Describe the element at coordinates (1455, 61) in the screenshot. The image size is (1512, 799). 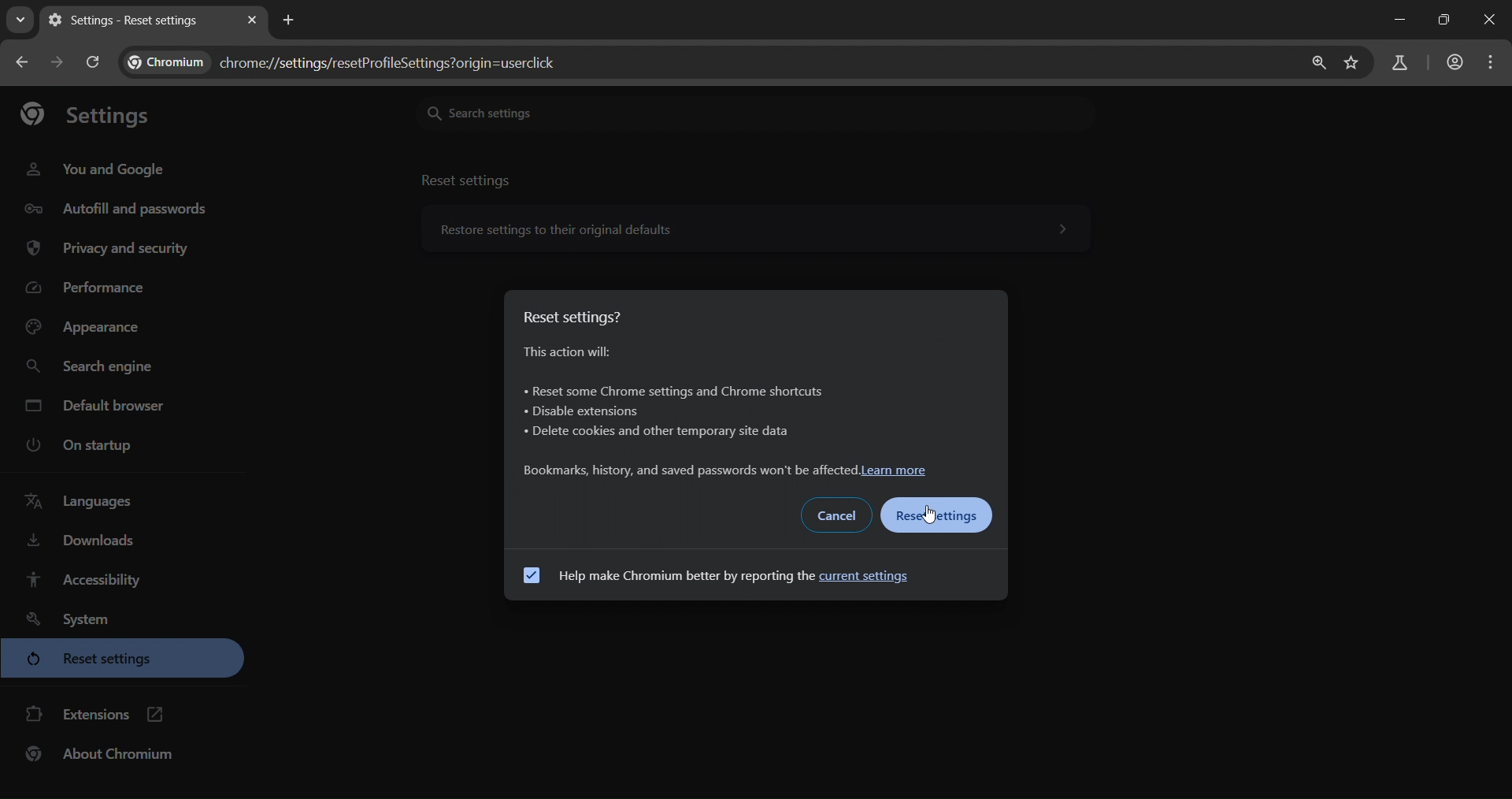
I see `accounts` at that location.